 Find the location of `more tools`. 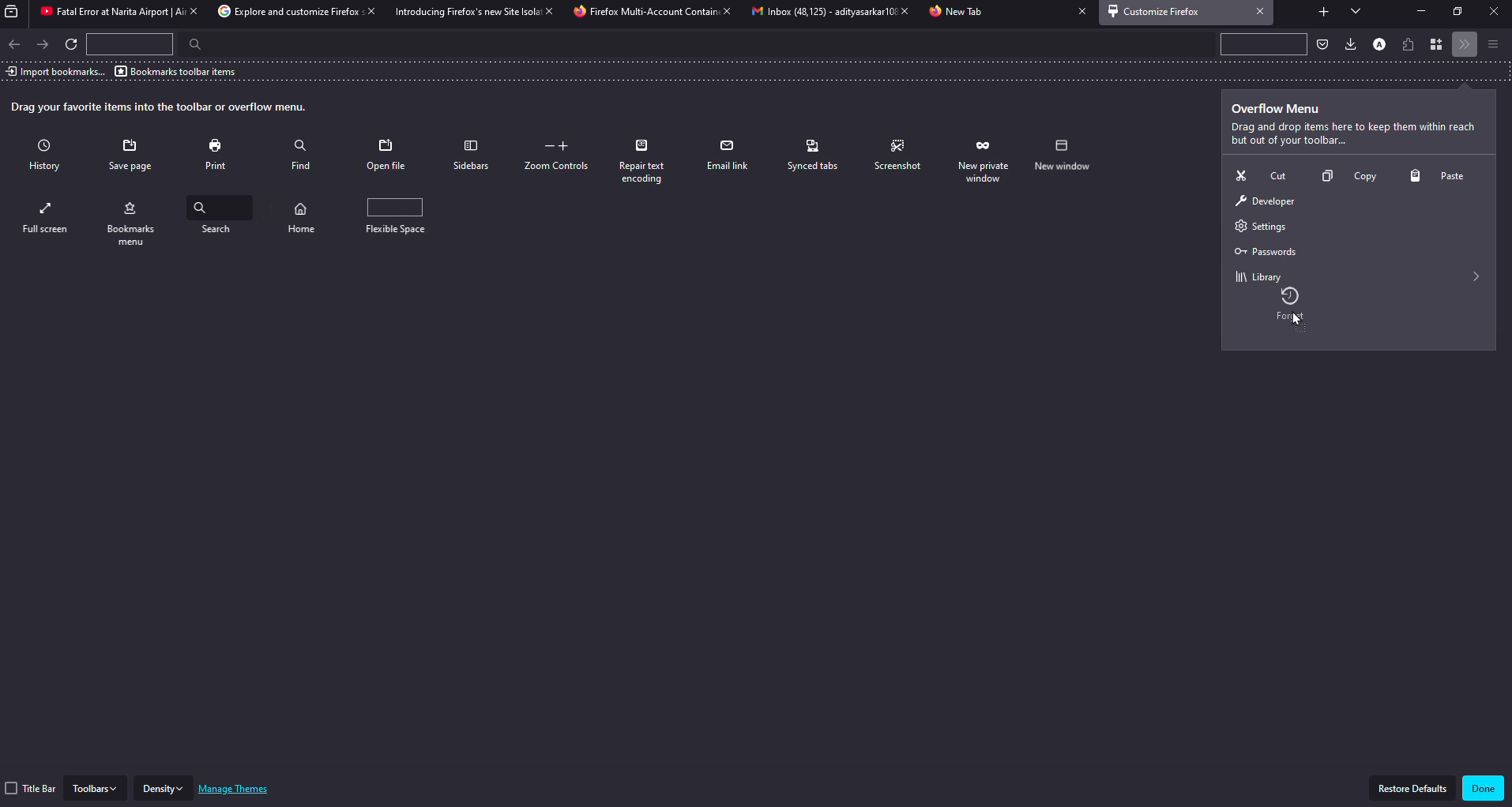

more tools is located at coordinates (1466, 45).